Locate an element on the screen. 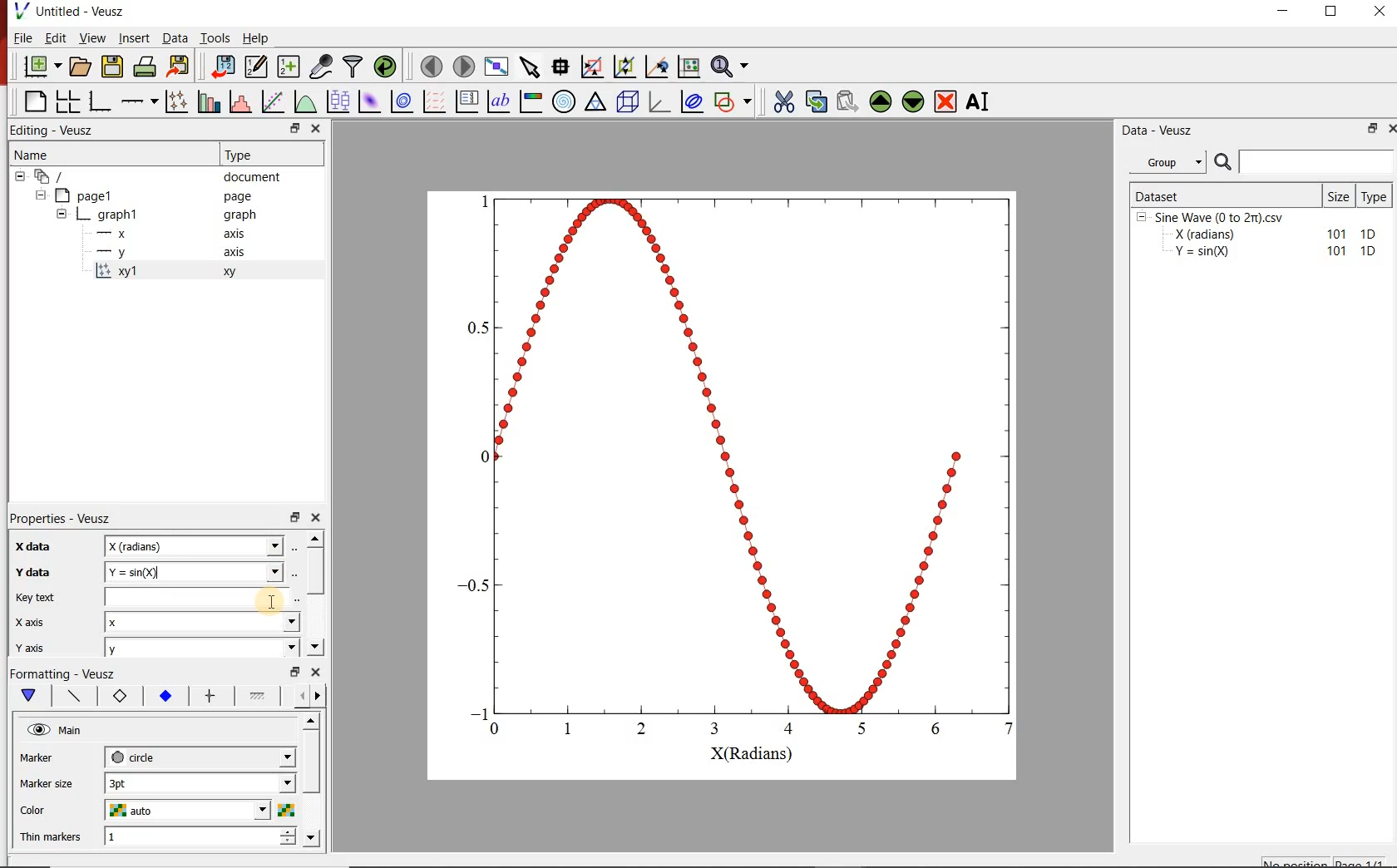 The width and height of the screenshot is (1397, 868). go to previous page is located at coordinates (431, 66).